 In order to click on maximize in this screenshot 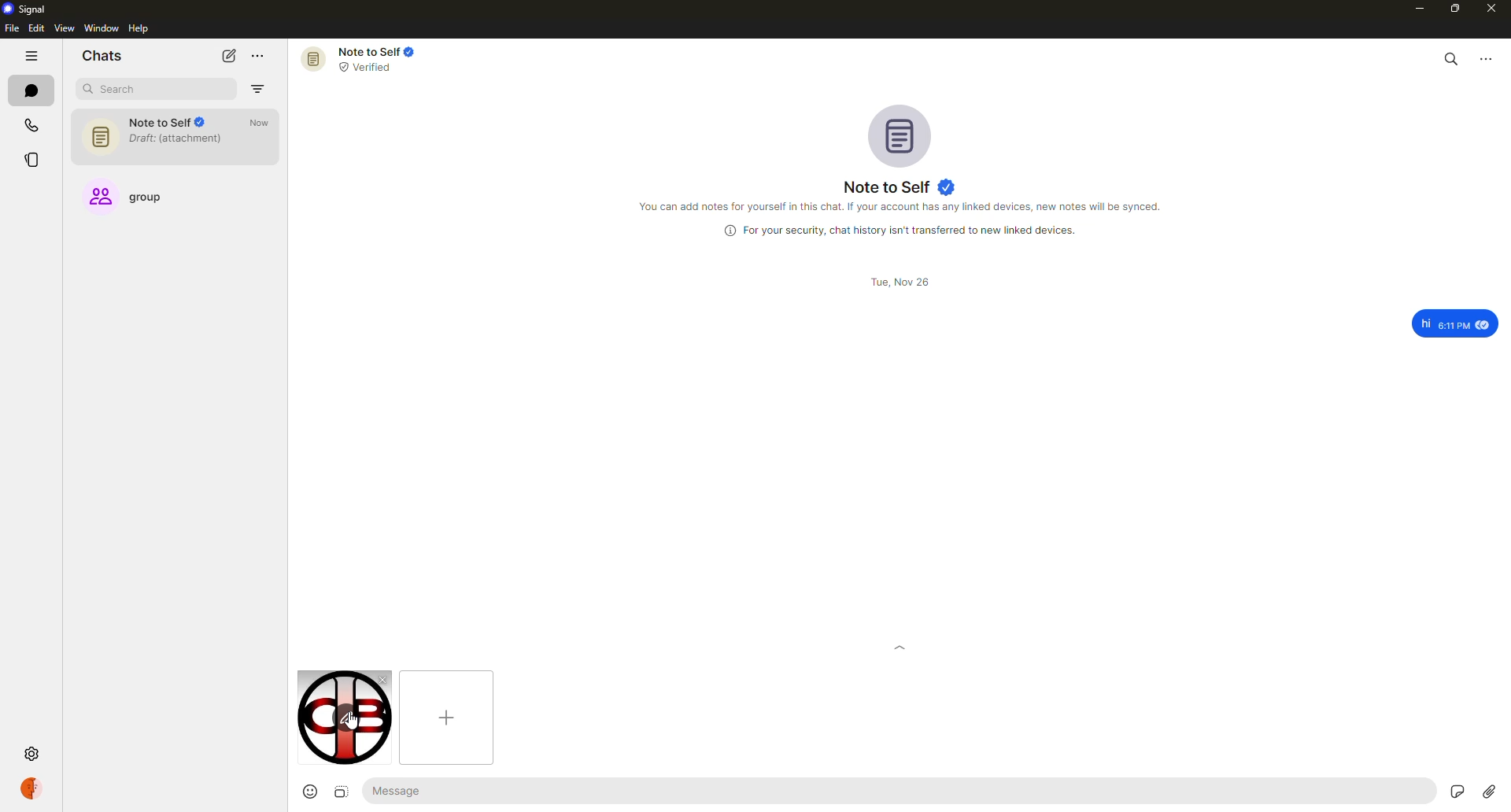, I will do `click(1453, 12)`.